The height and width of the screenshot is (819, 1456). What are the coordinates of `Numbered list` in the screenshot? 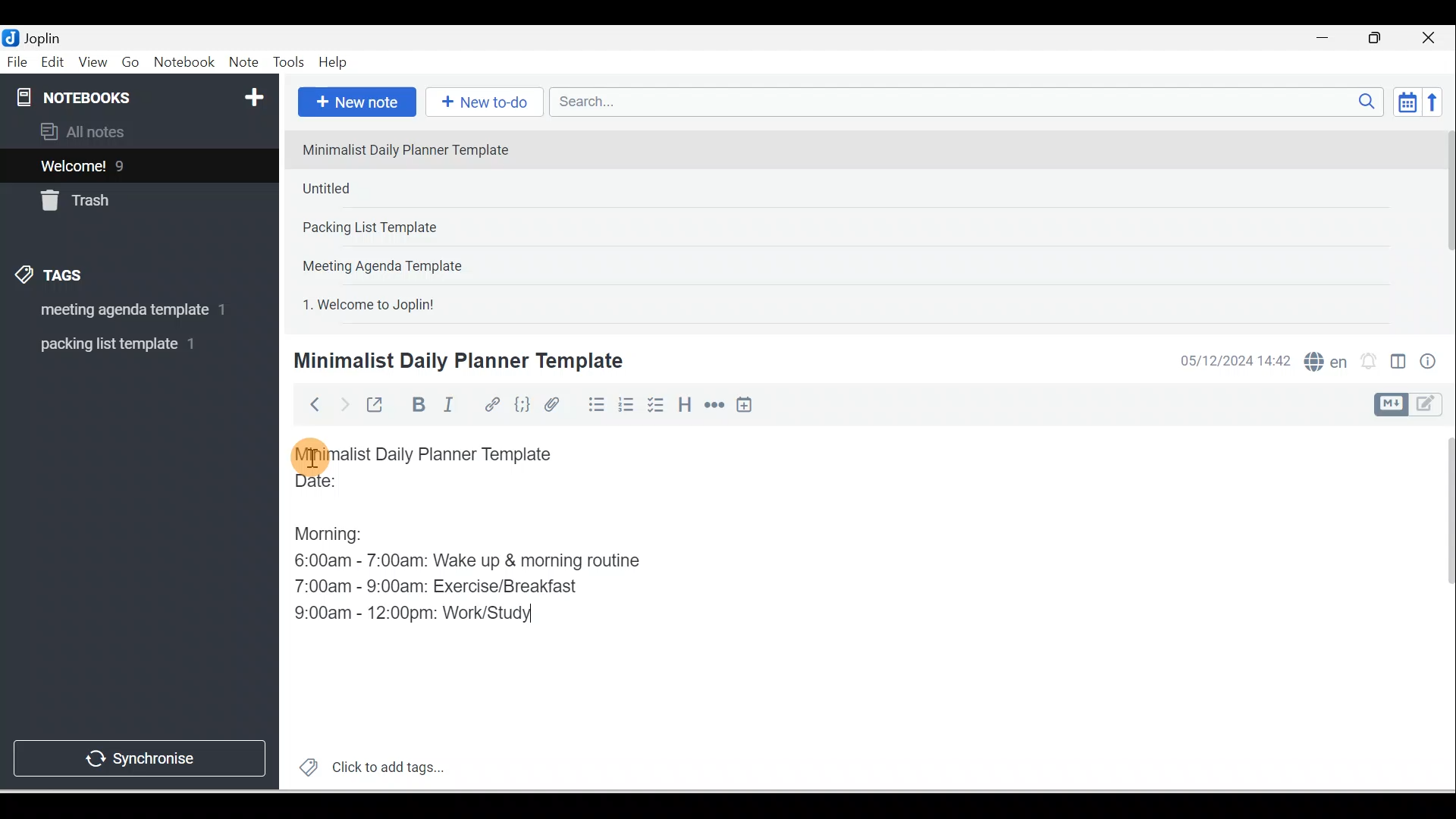 It's located at (626, 404).